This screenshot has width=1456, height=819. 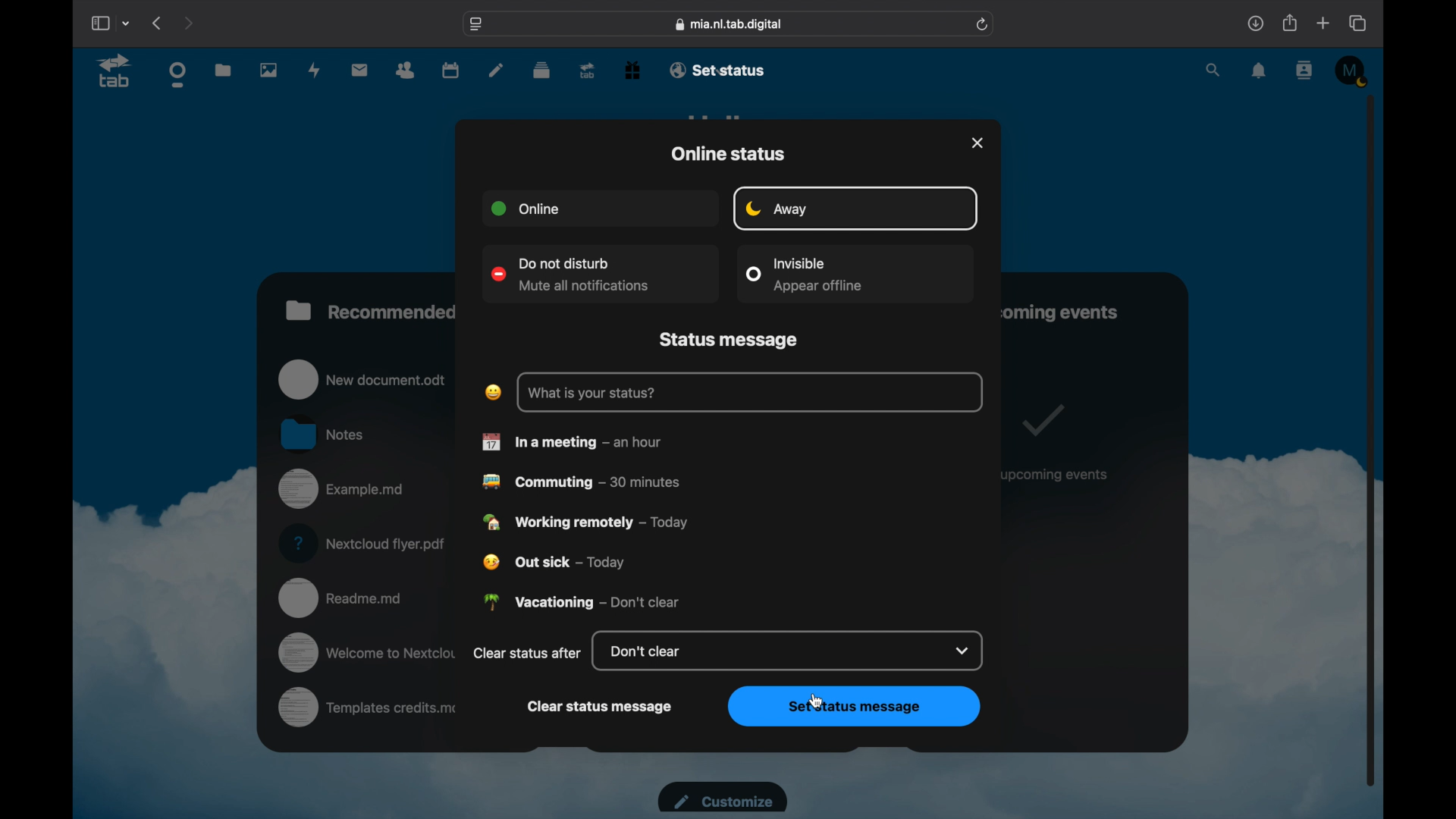 What do you see at coordinates (178, 75) in the screenshot?
I see `dashboard` at bounding box center [178, 75].